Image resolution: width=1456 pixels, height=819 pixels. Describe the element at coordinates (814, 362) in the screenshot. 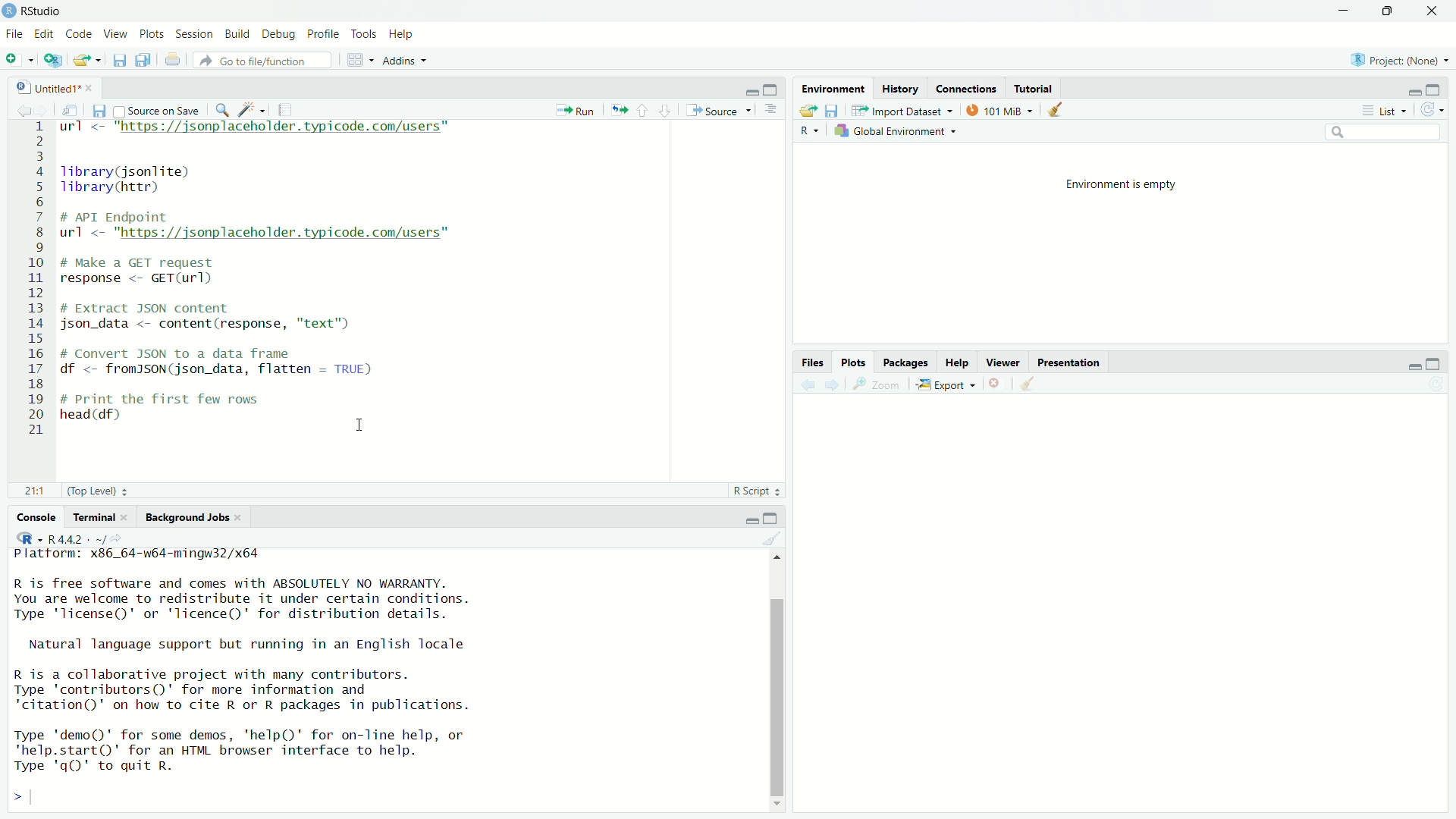

I see `Files` at that location.